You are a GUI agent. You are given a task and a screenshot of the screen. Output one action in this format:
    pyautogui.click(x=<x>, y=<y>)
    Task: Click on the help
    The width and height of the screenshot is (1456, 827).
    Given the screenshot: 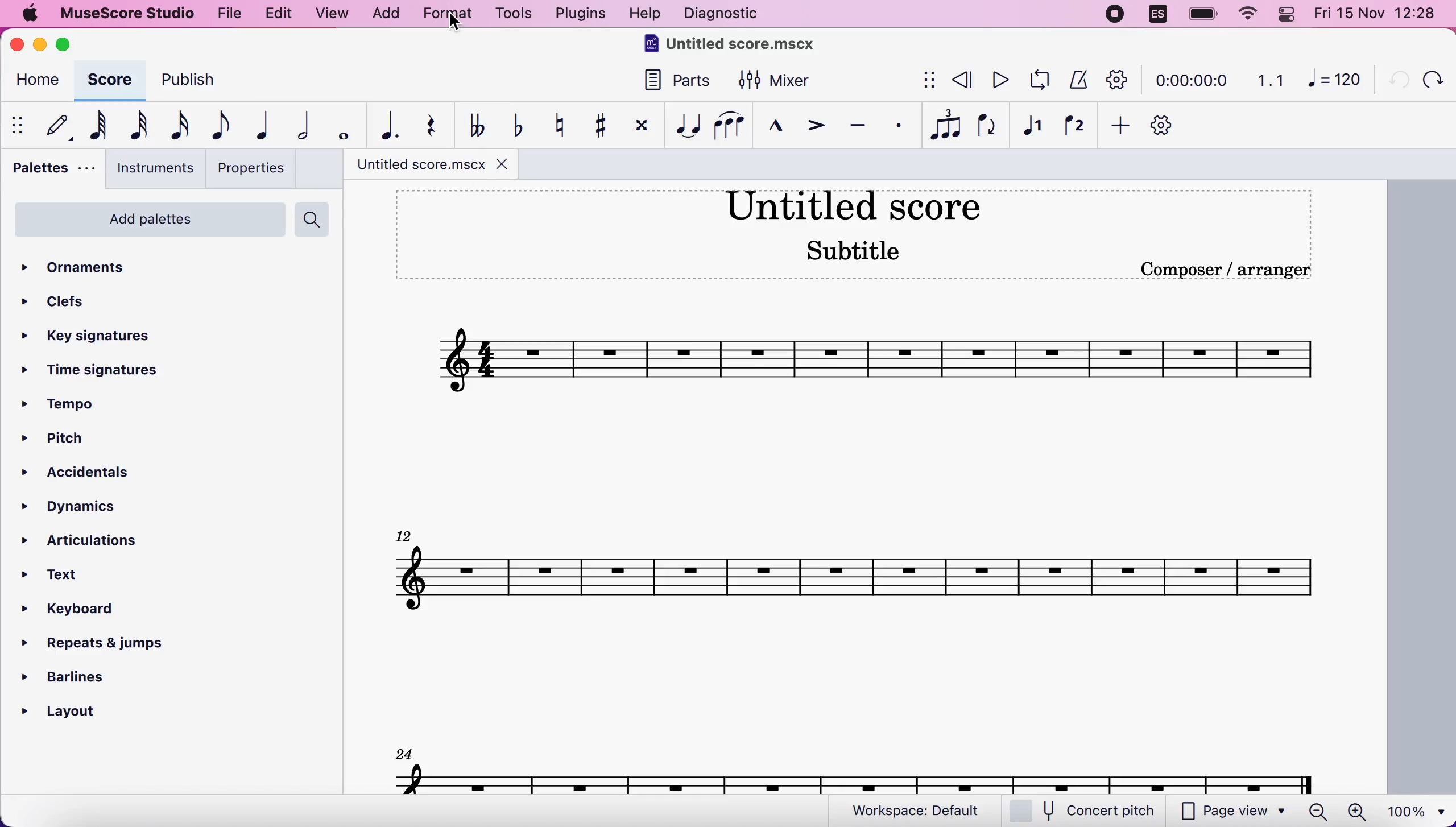 What is the action you would take?
    pyautogui.click(x=645, y=15)
    